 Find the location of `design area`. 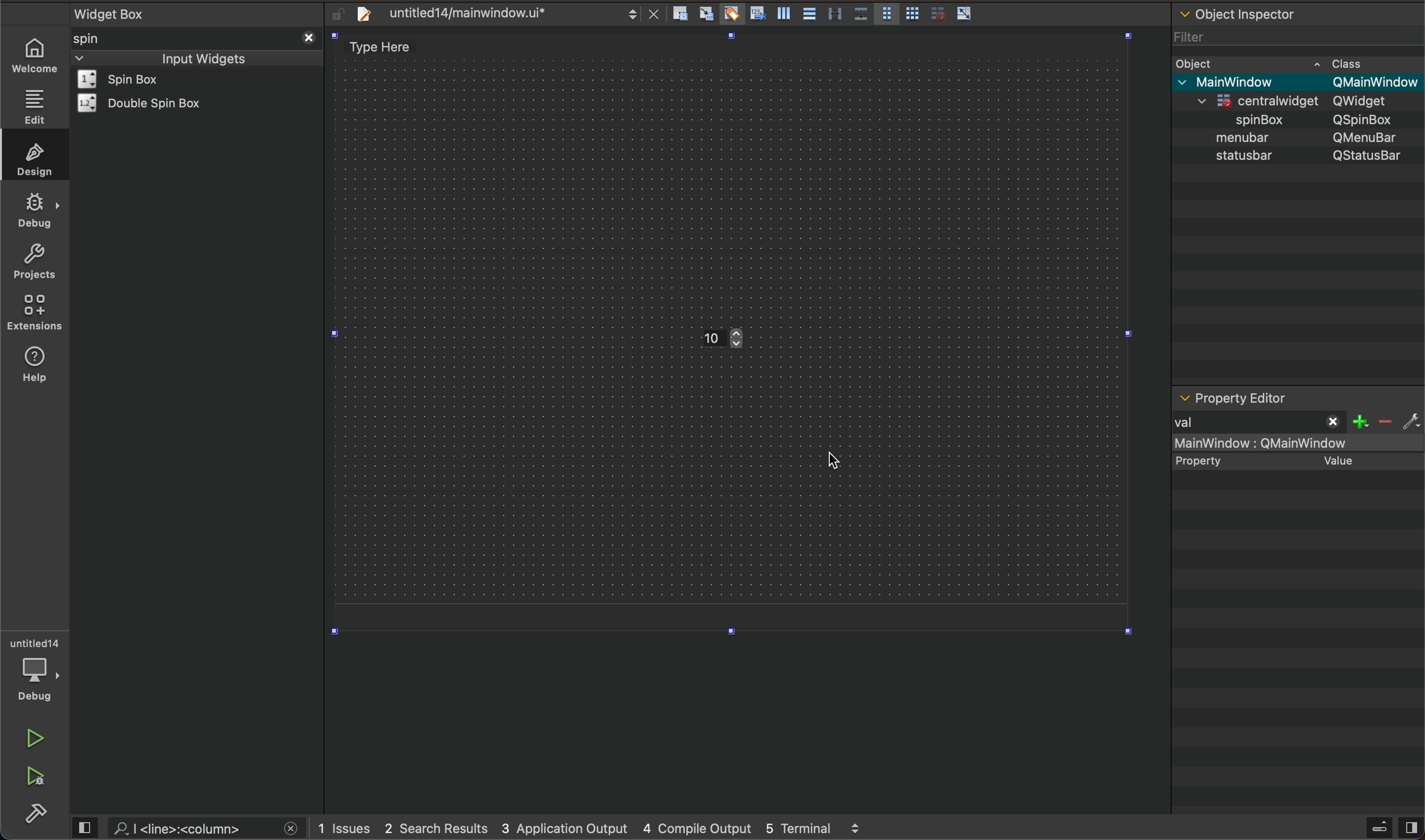

design area is located at coordinates (387, 47).